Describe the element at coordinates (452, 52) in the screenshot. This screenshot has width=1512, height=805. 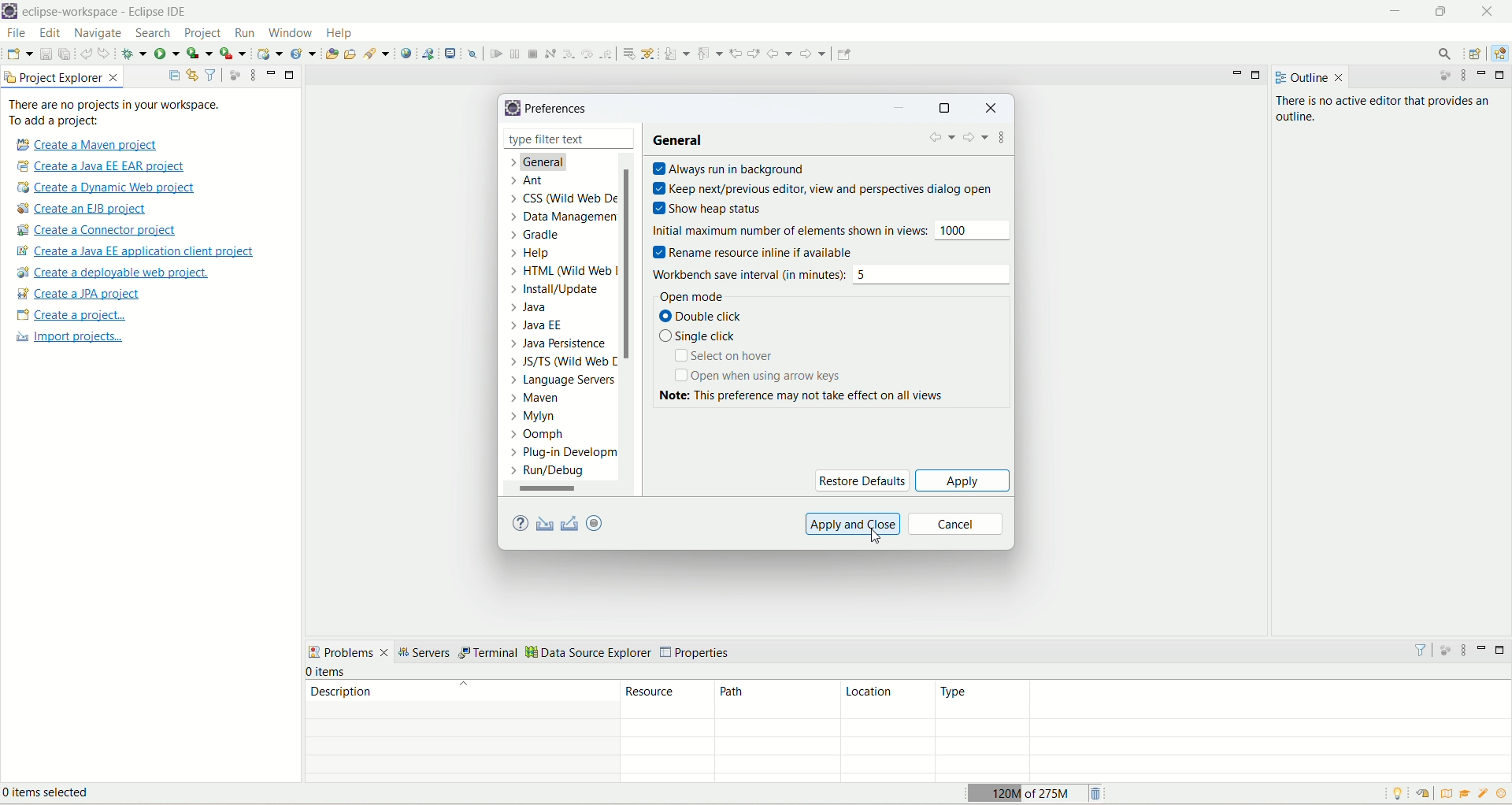
I see `open a terminal` at that location.